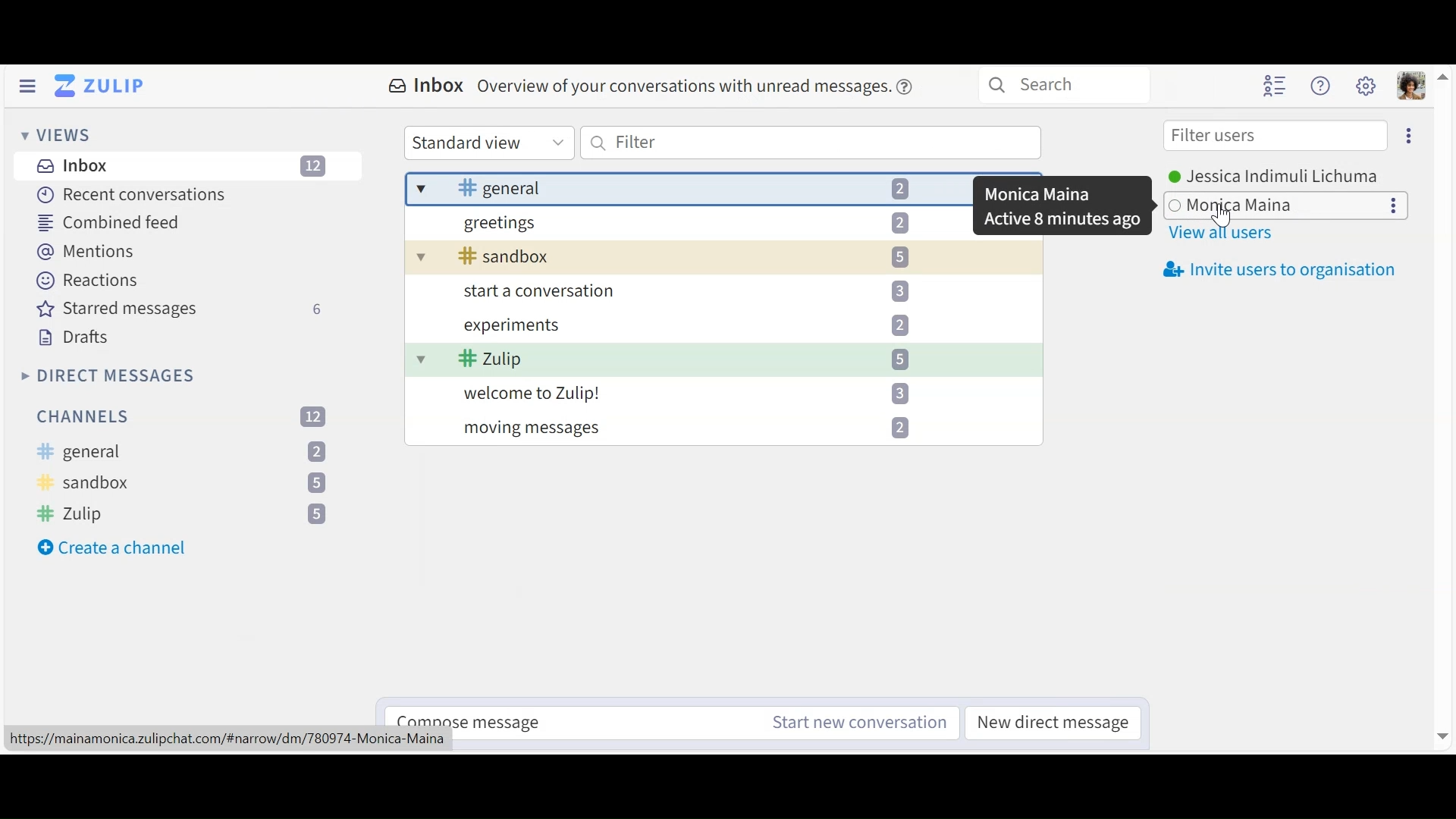 This screenshot has height=819, width=1456. Describe the element at coordinates (1411, 85) in the screenshot. I see `Personal user` at that location.